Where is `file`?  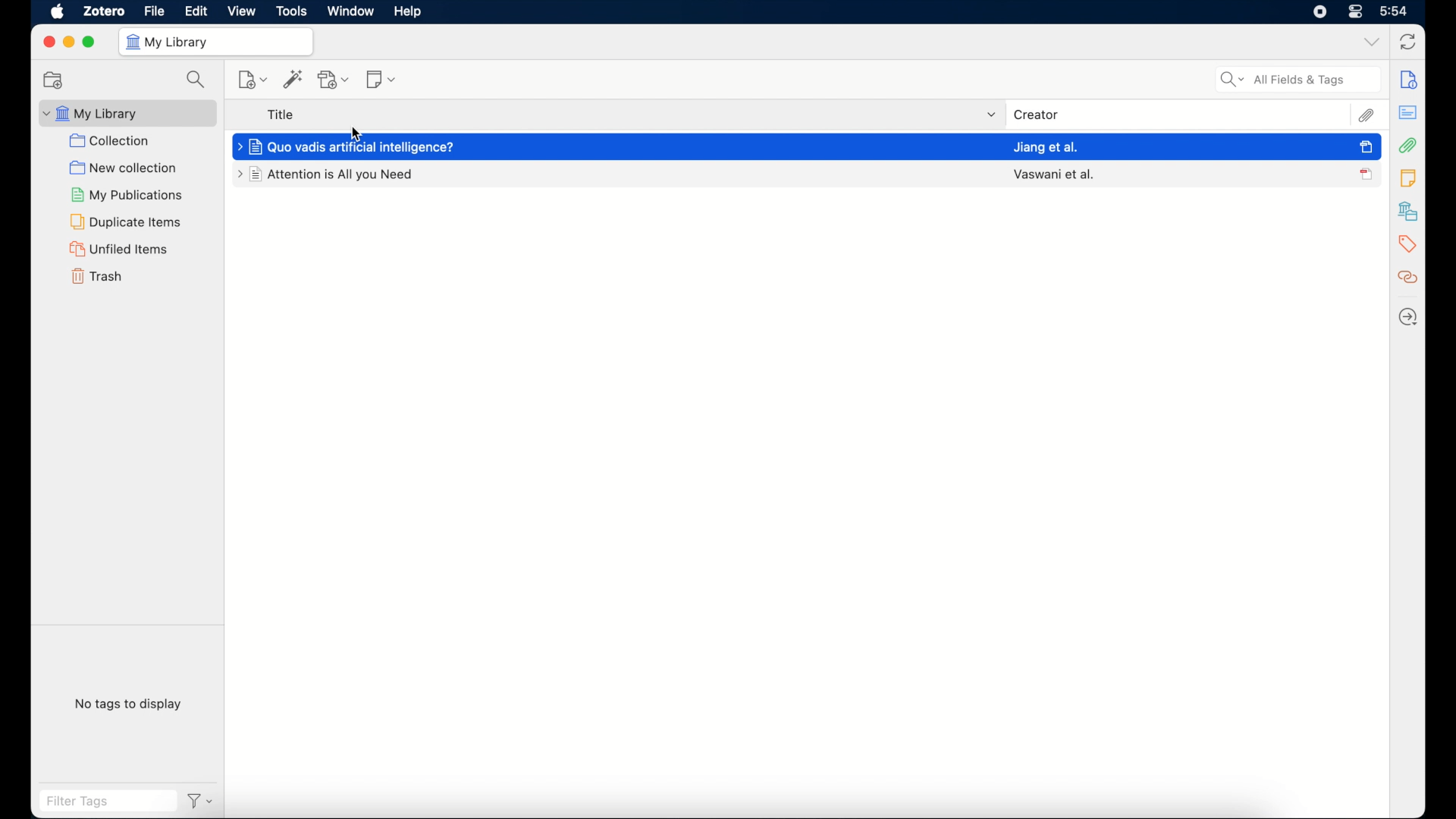
file is located at coordinates (154, 11).